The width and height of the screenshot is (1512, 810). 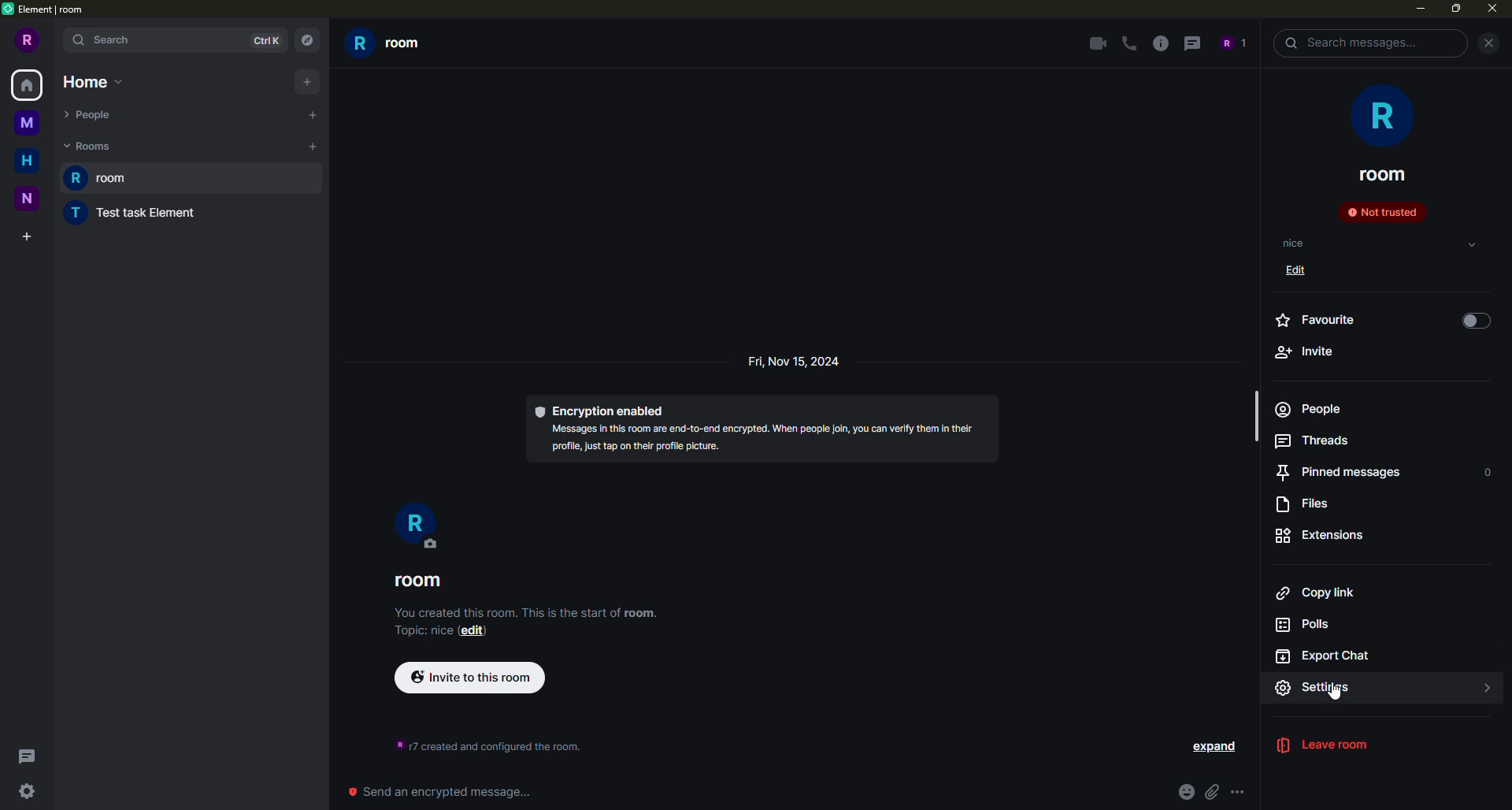 I want to click on threads, so click(x=1314, y=440).